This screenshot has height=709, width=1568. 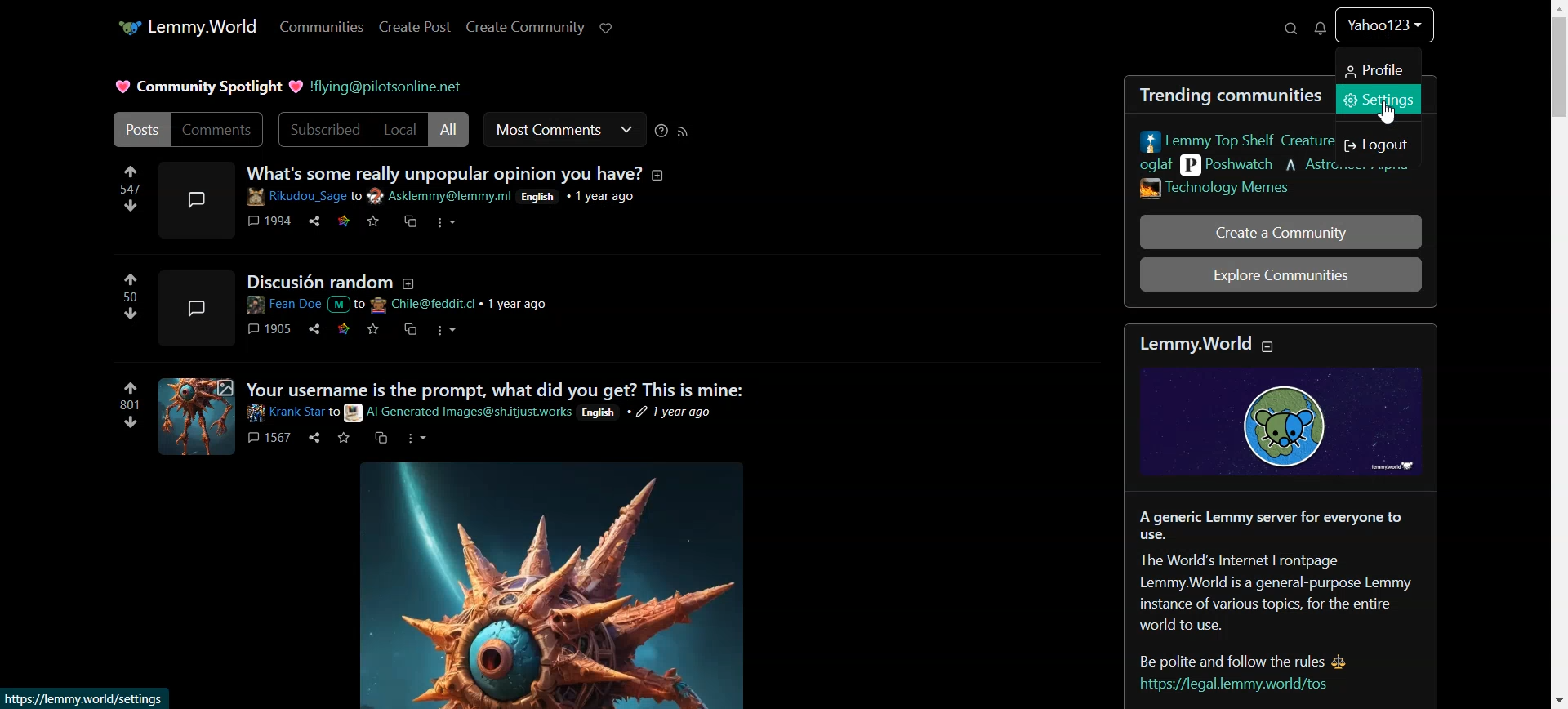 What do you see at coordinates (662, 132) in the screenshot?
I see `Sorting Help` at bounding box center [662, 132].